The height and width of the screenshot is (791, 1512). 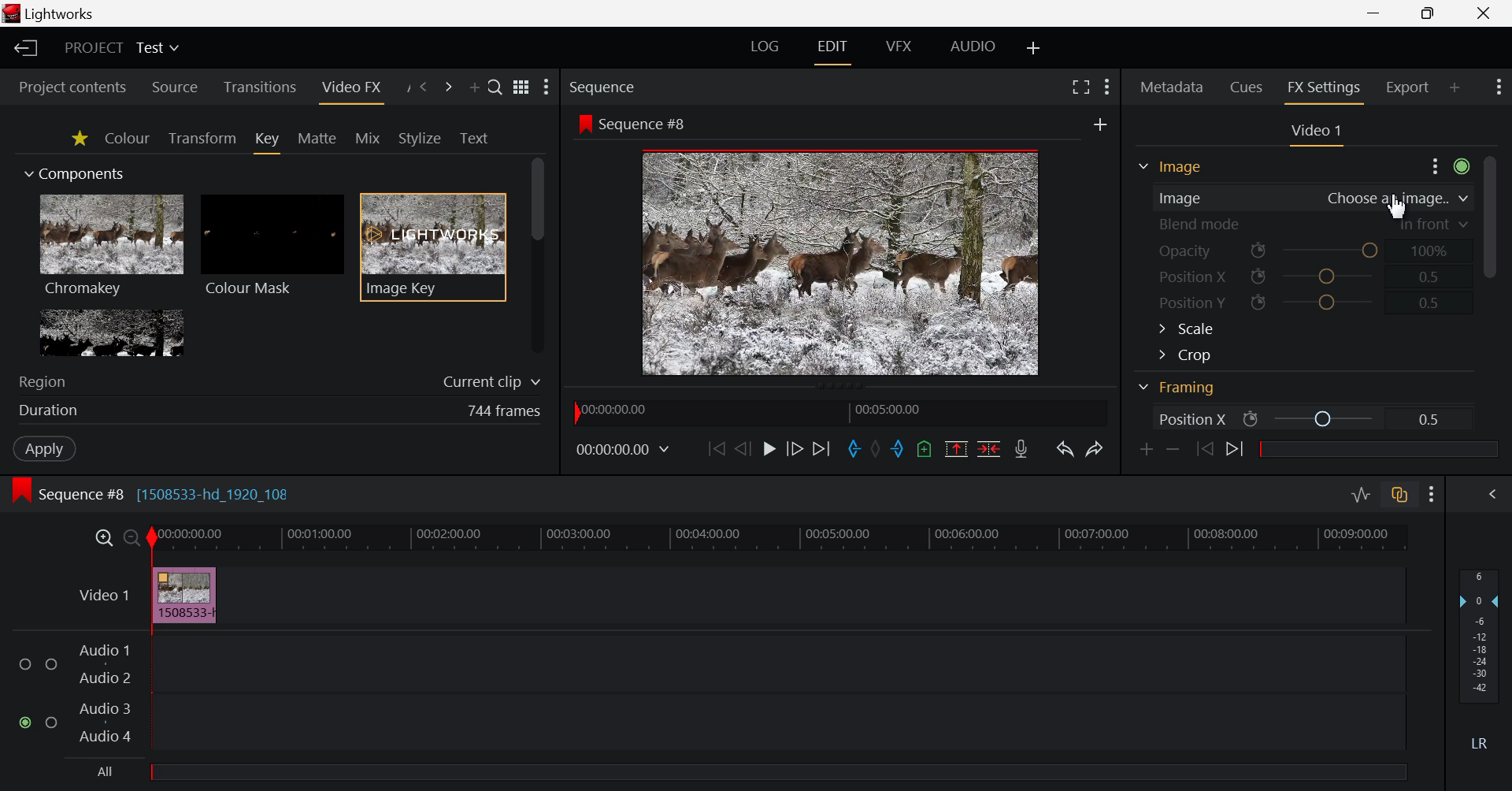 I want to click on Position Y, so click(x=1330, y=303).